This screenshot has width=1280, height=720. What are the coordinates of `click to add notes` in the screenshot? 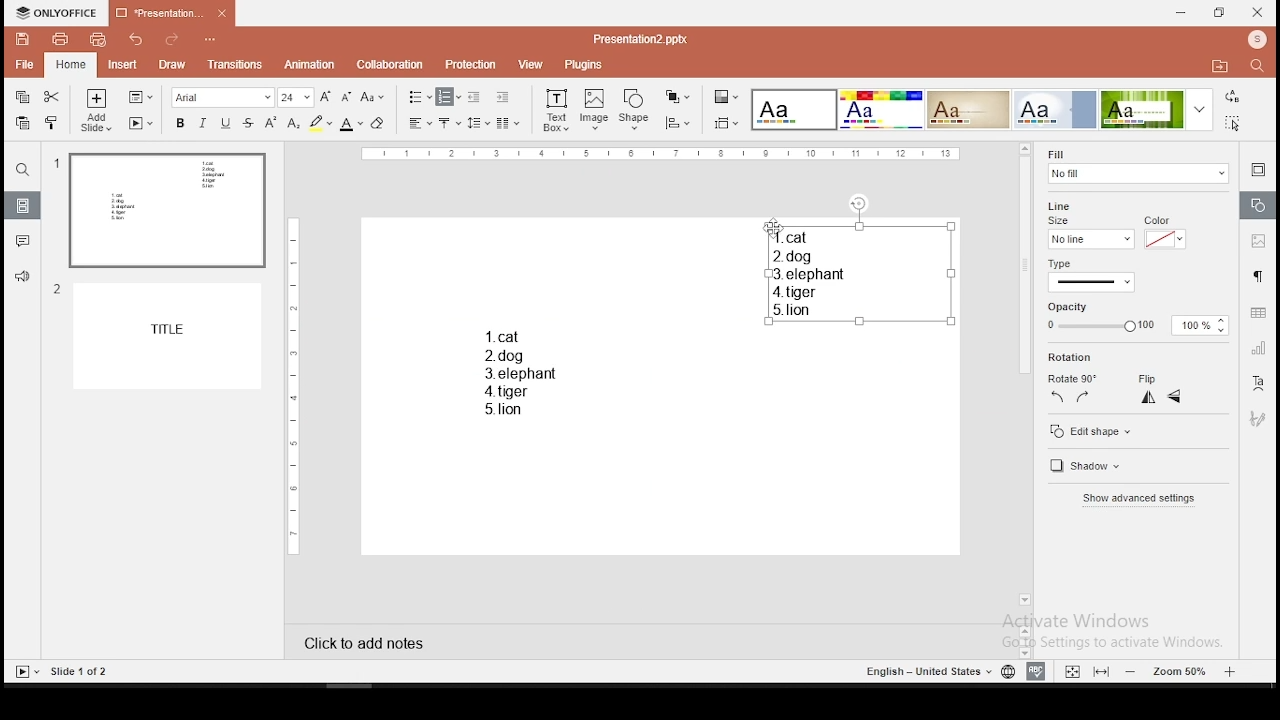 It's located at (358, 643).